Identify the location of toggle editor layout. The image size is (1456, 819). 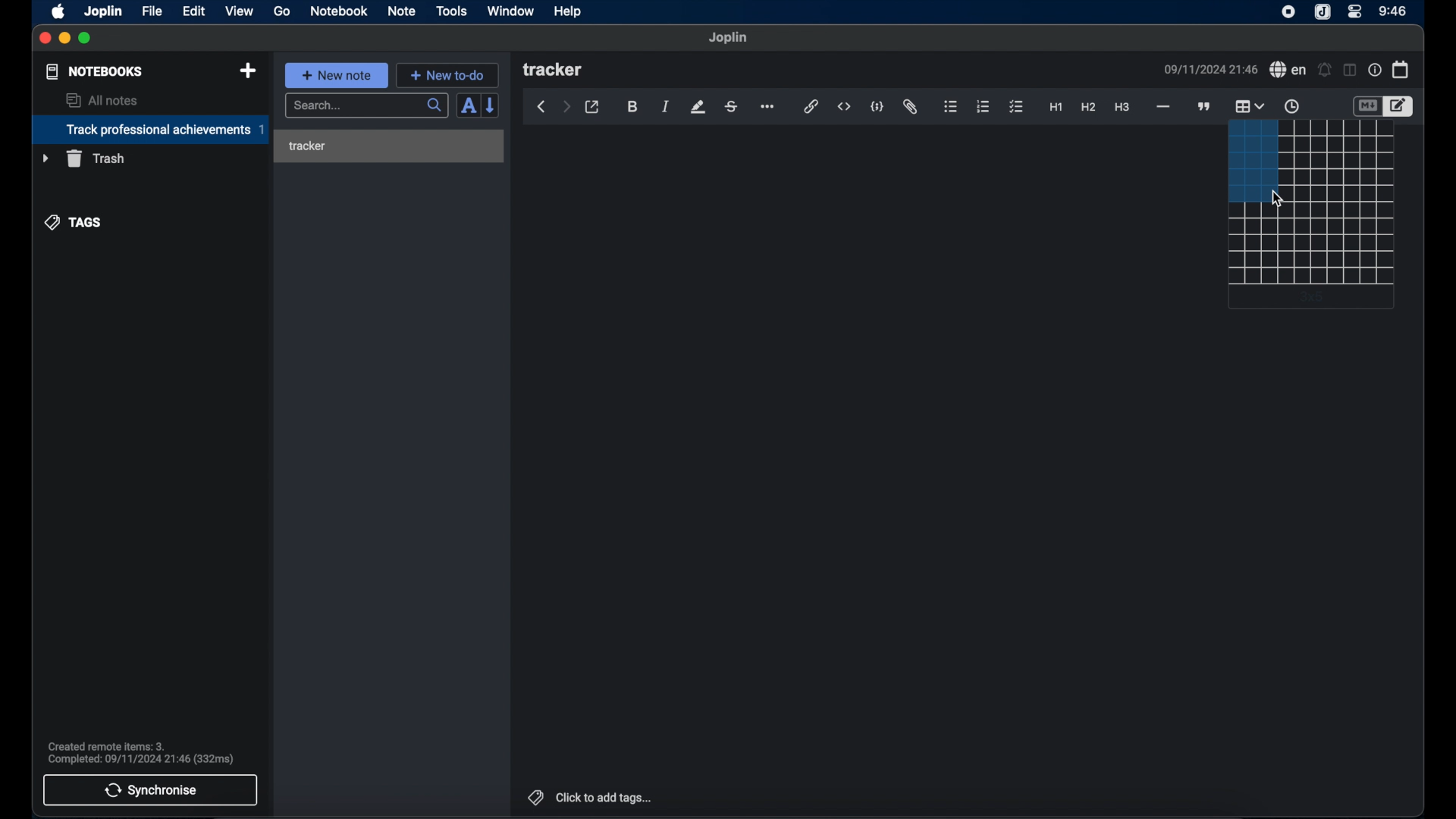
(1348, 71).